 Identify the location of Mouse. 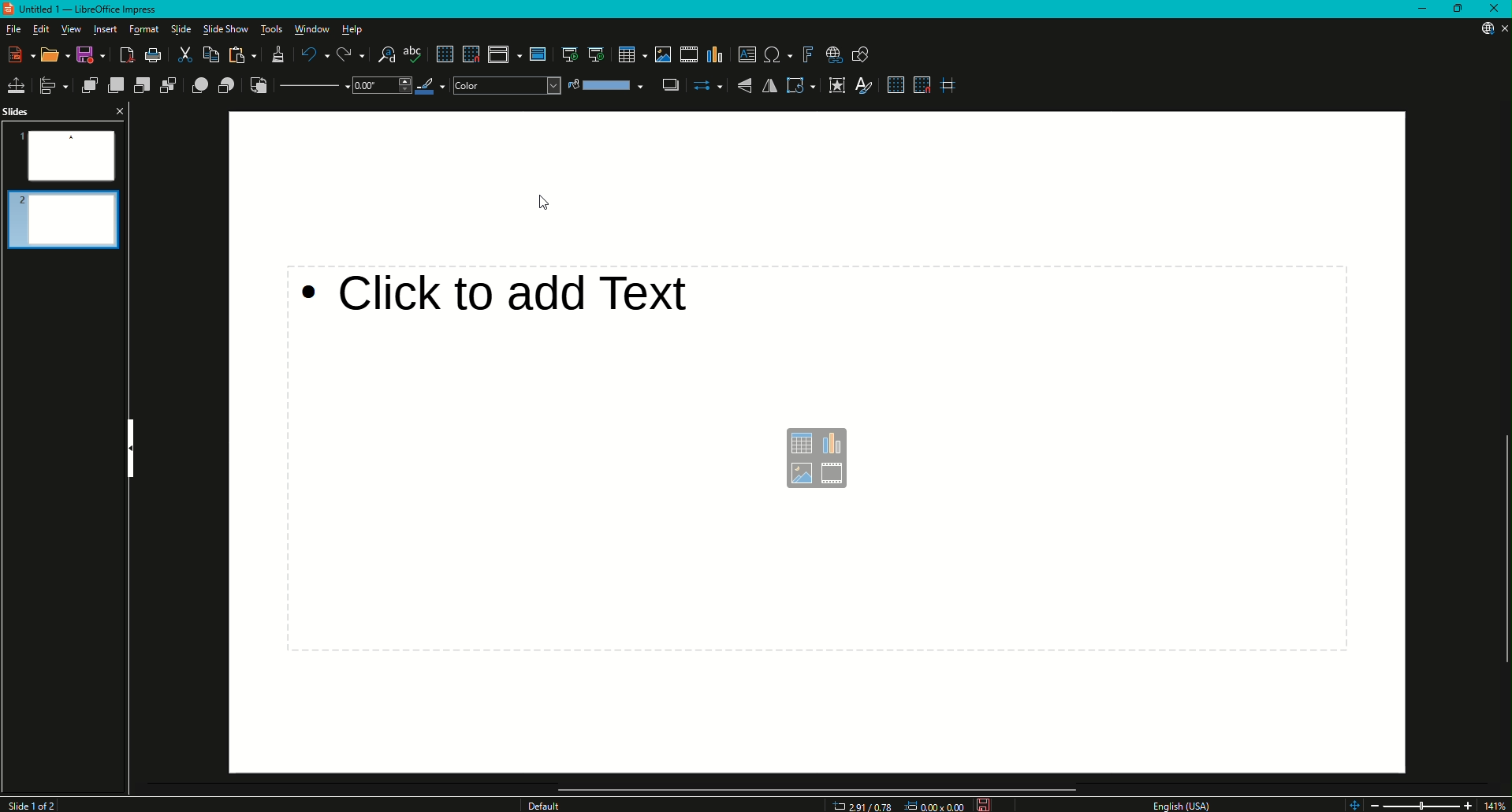
(543, 201).